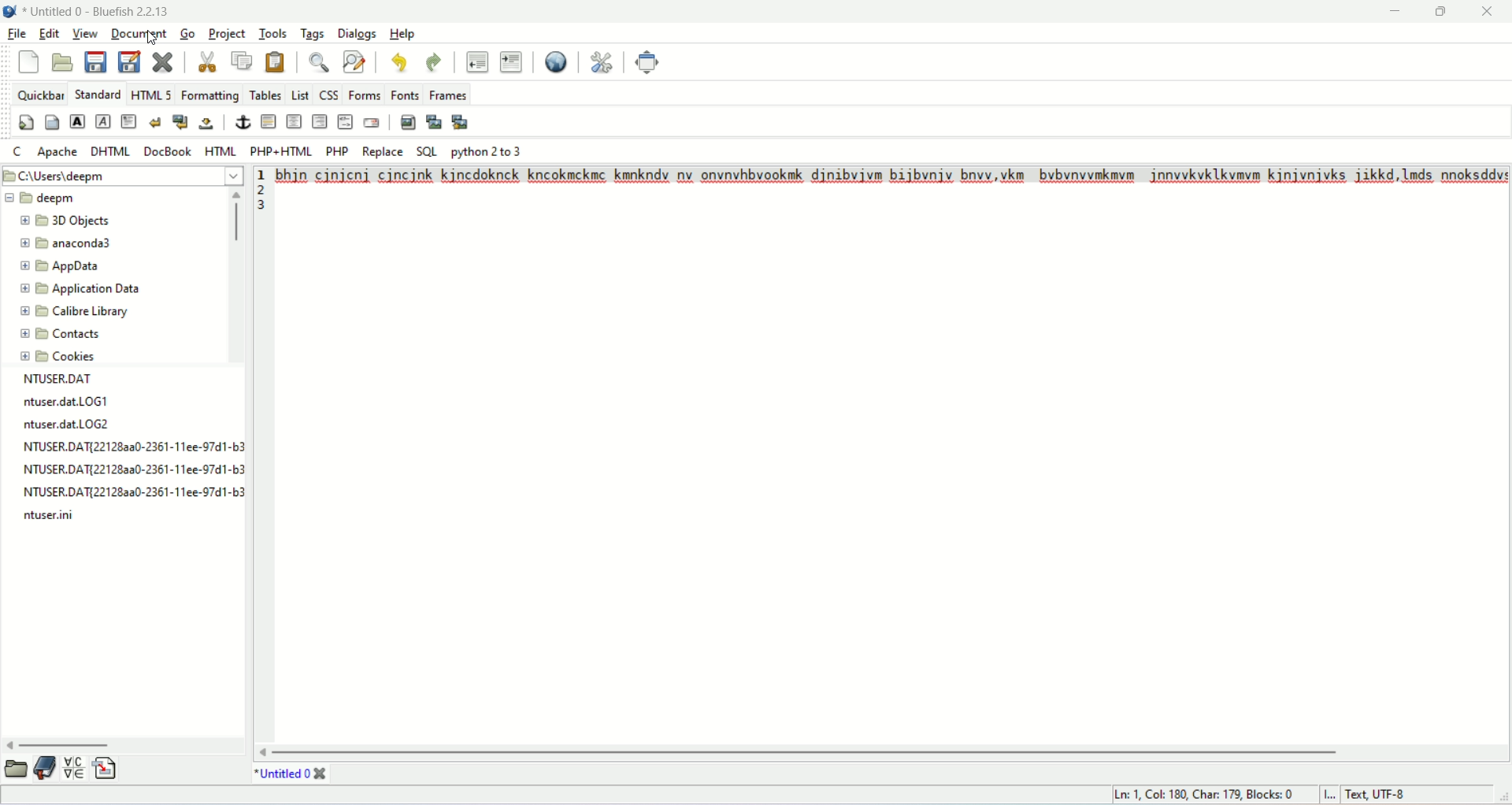  Describe the element at coordinates (462, 121) in the screenshot. I see `multi-thumbnail` at that location.